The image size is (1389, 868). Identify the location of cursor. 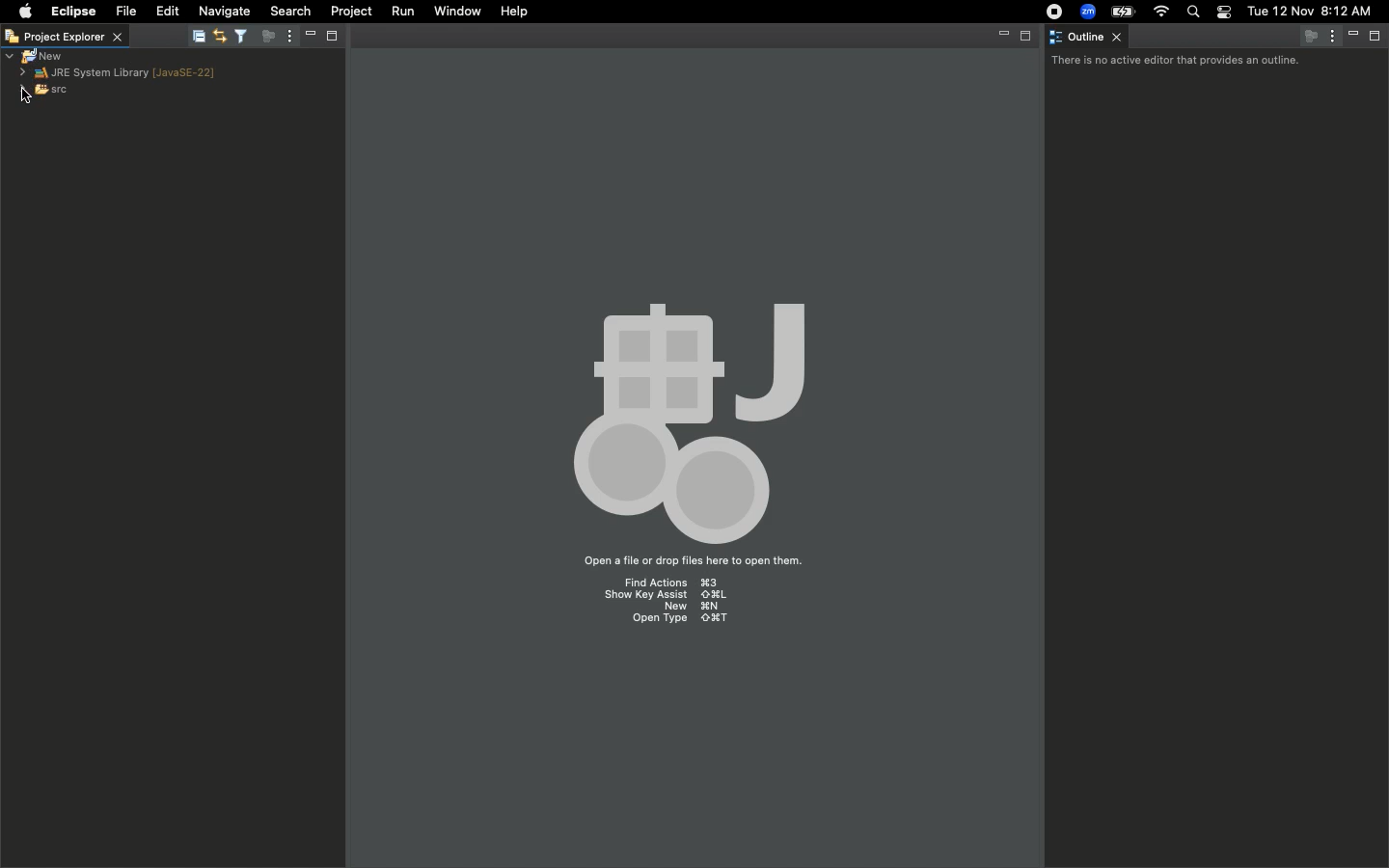
(25, 95).